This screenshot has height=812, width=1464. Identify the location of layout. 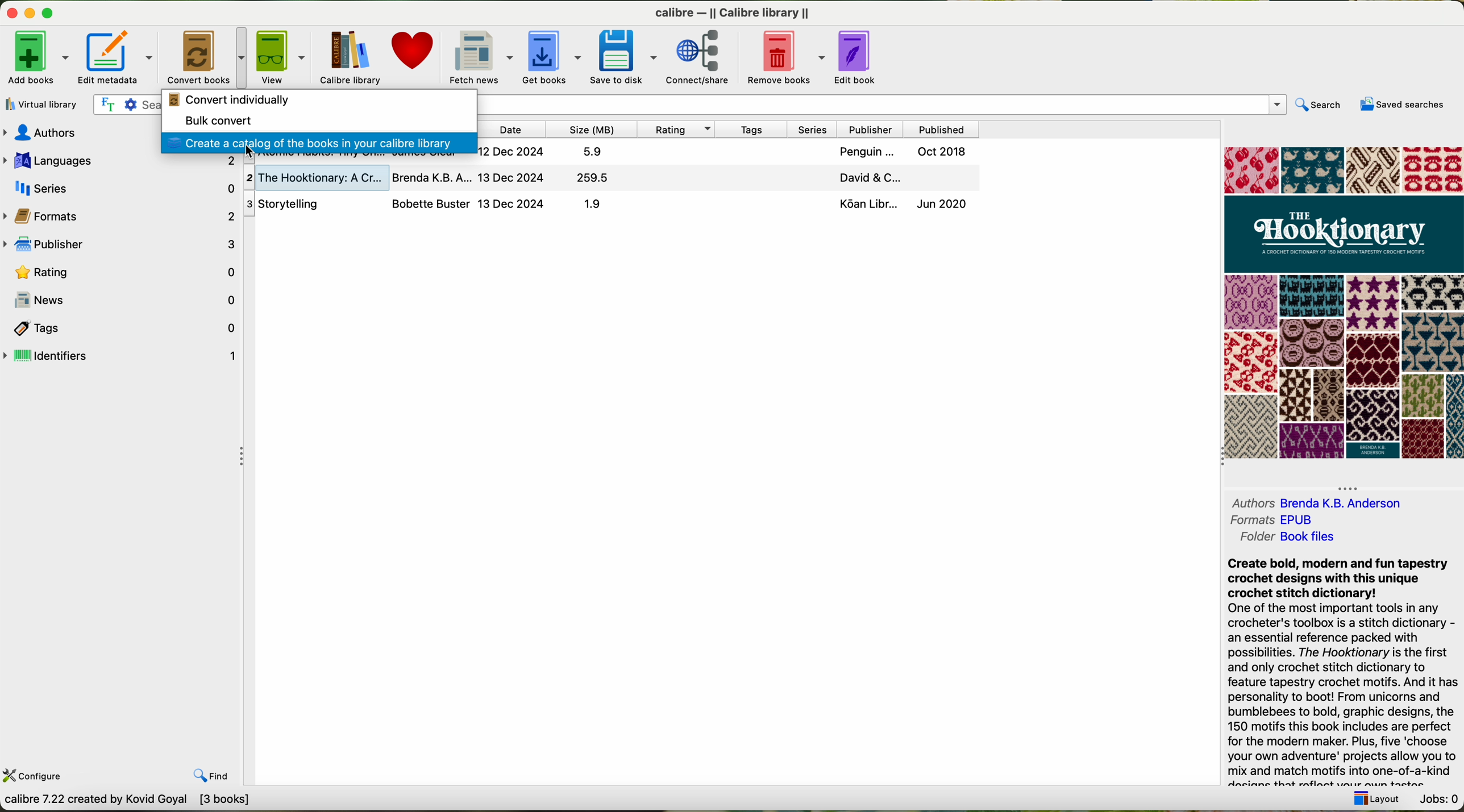
(1373, 798).